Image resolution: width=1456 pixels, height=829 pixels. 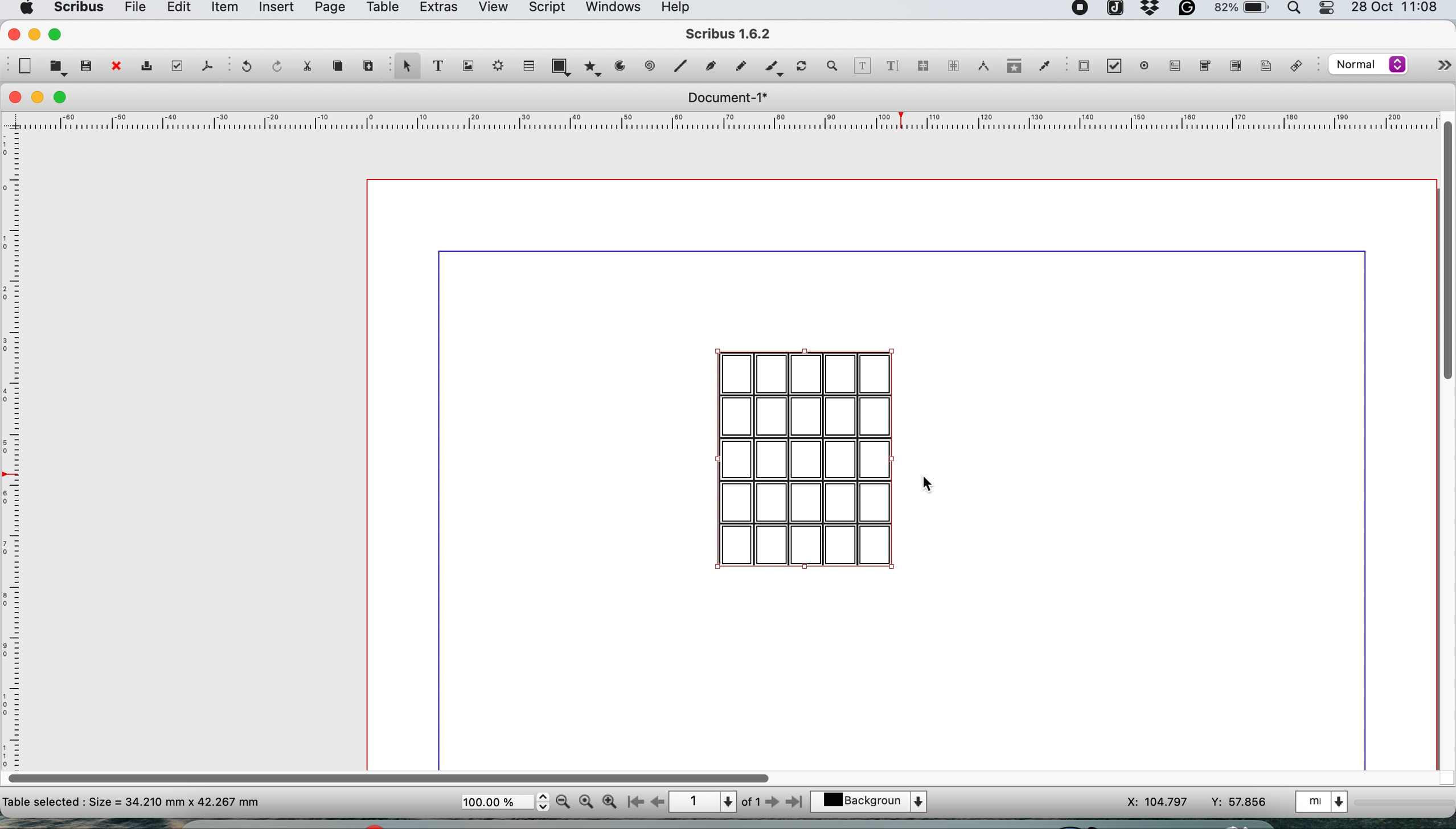 What do you see at coordinates (1084, 65) in the screenshot?
I see `pdf check button` at bounding box center [1084, 65].